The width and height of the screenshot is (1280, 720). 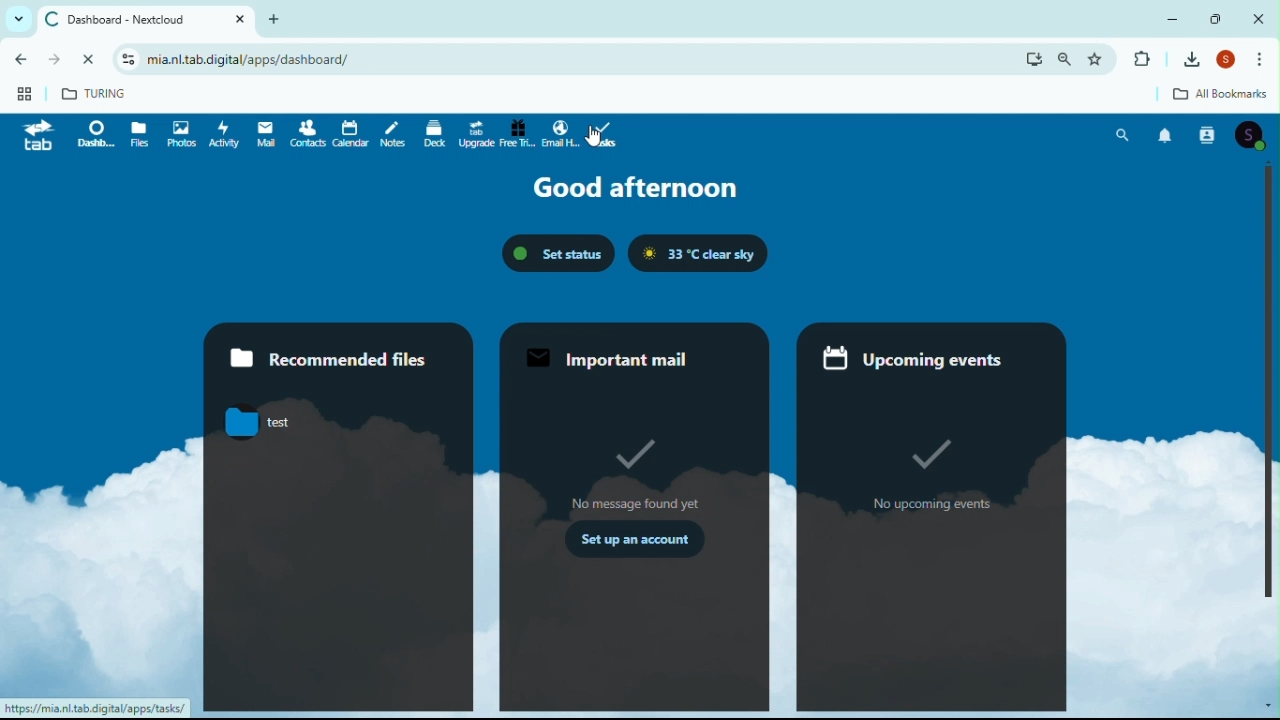 What do you see at coordinates (267, 422) in the screenshot?
I see `test` at bounding box center [267, 422].